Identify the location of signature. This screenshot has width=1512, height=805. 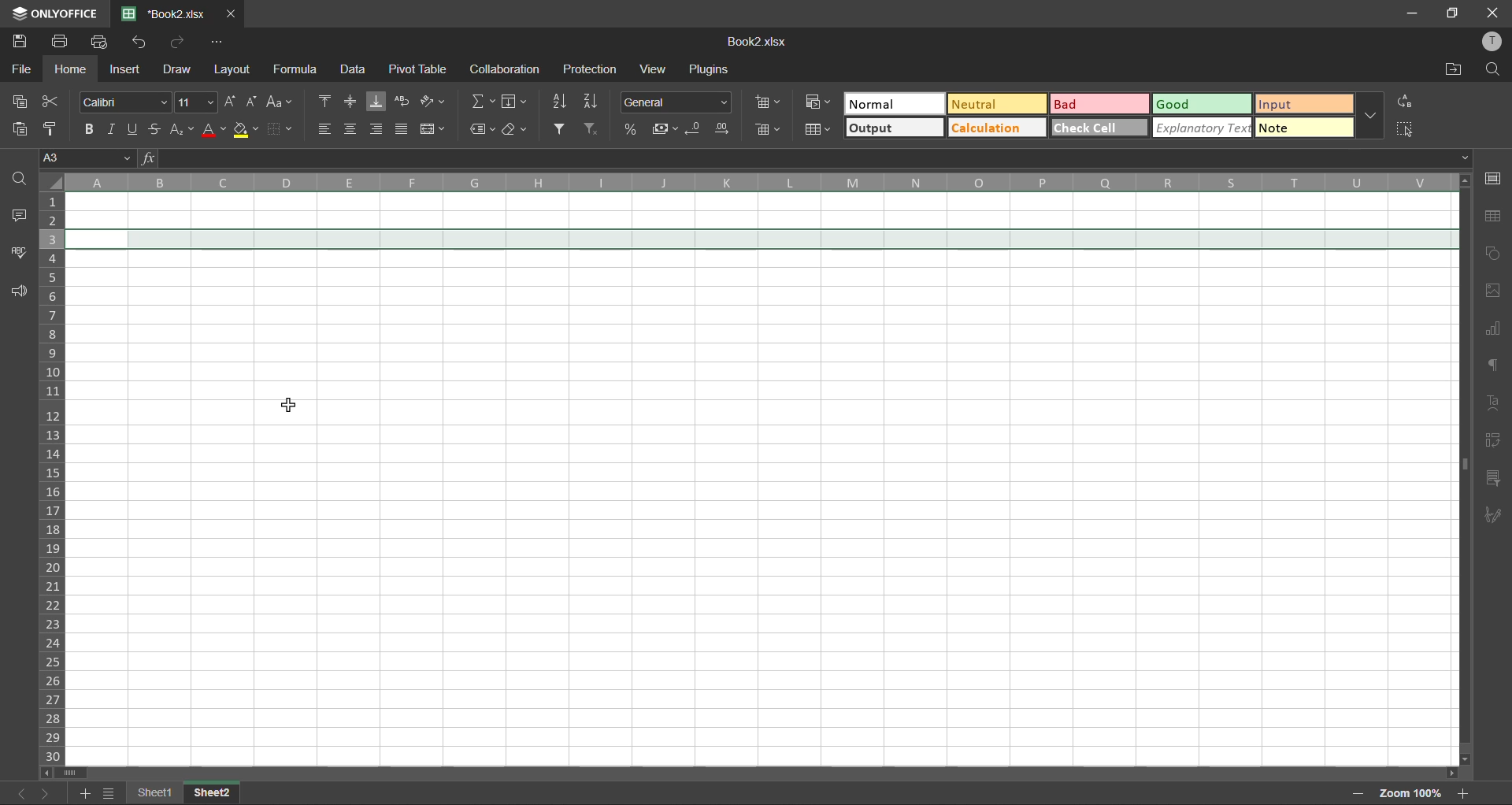
(1495, 515).